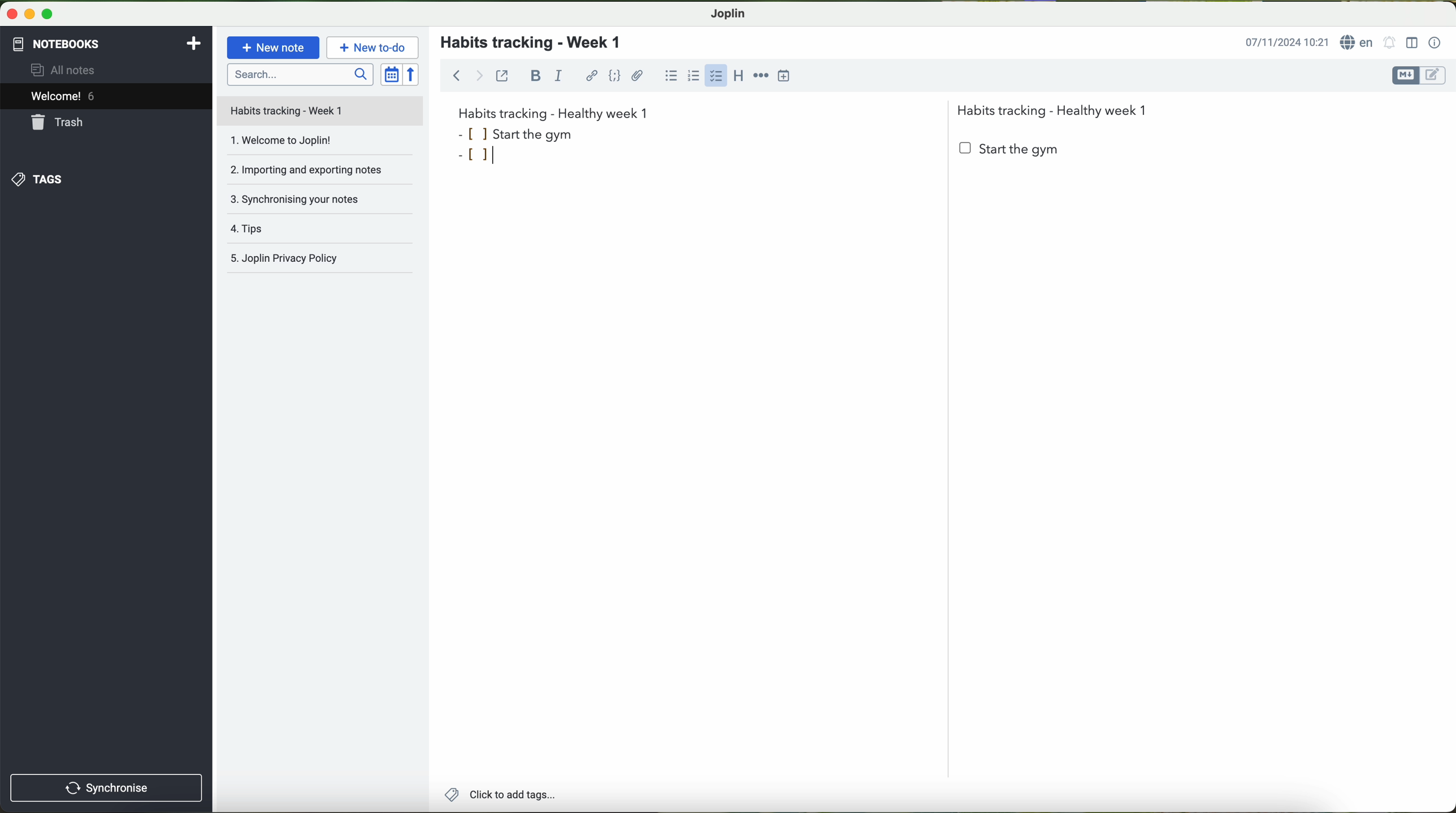 Image resolution: width=1456 pixels, height=813 pixels. What do you see at coordinates (1412, 43) in the screenshot?
I see `toggle editor layout` at bounding box center [1412, 43].